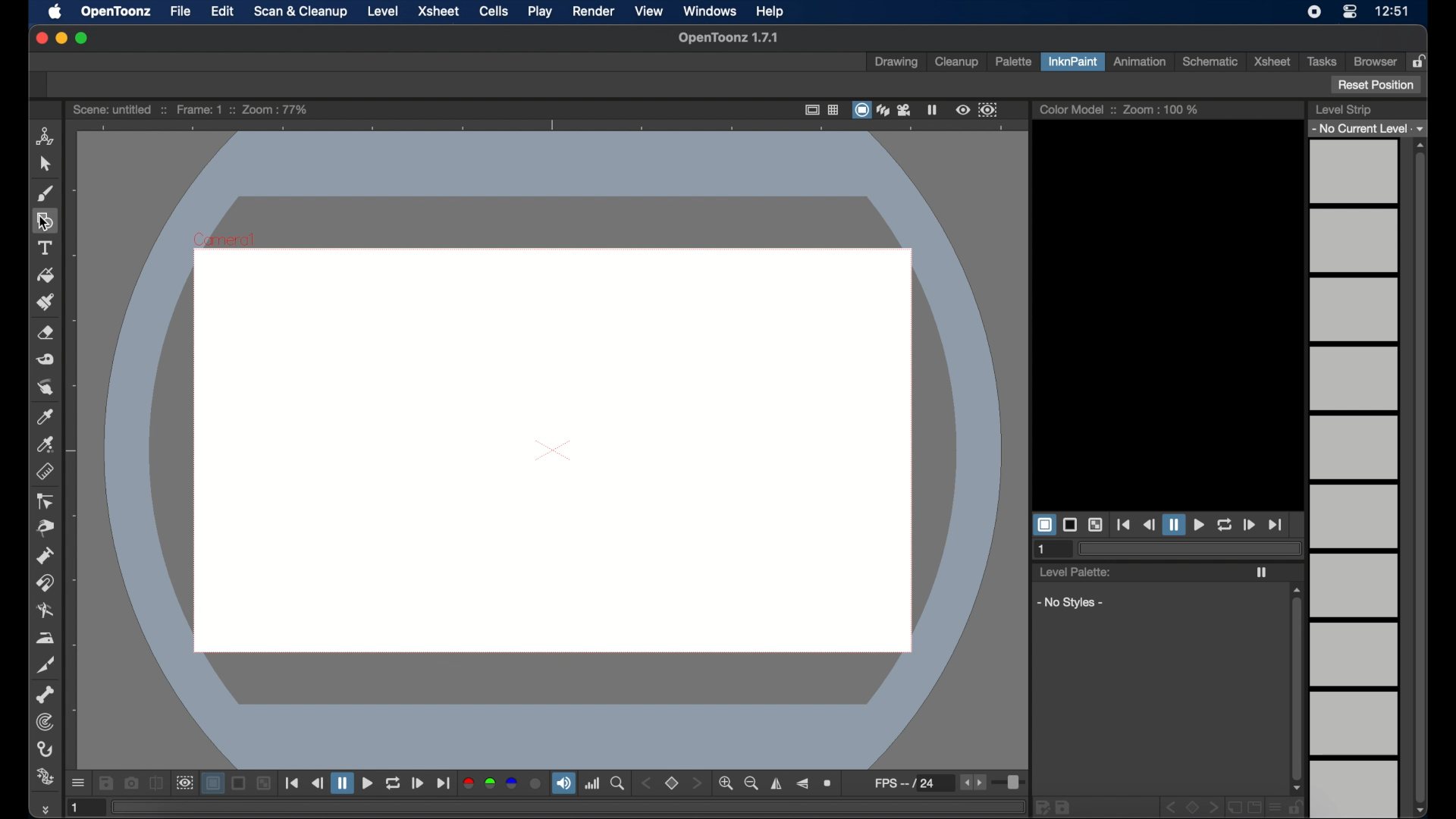  What do you see at coordinates (44, 221) in the screenshot?
I see `shapes` at bounding box center [44, 221].